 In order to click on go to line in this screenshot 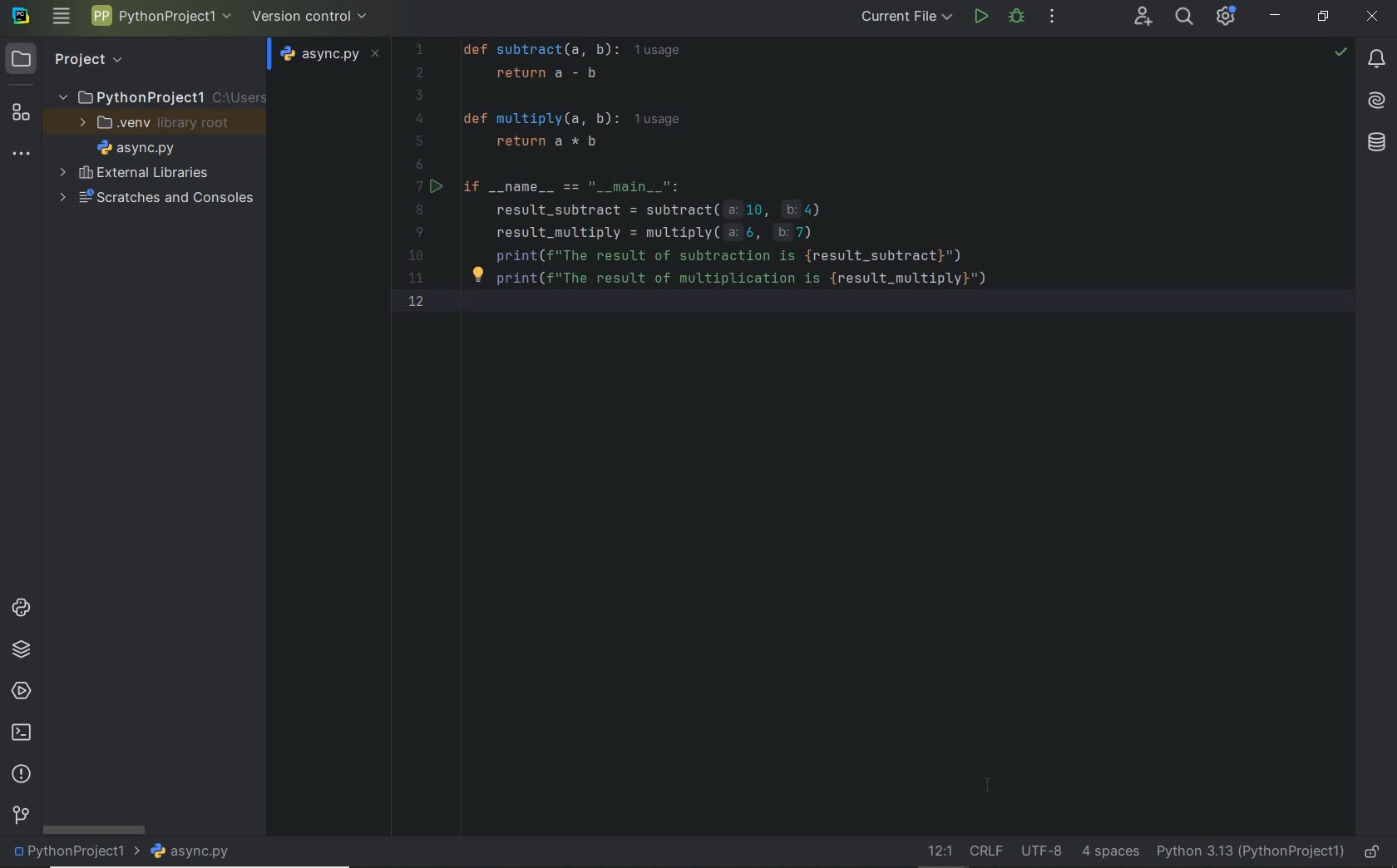, I will do `click(937, 852)`.